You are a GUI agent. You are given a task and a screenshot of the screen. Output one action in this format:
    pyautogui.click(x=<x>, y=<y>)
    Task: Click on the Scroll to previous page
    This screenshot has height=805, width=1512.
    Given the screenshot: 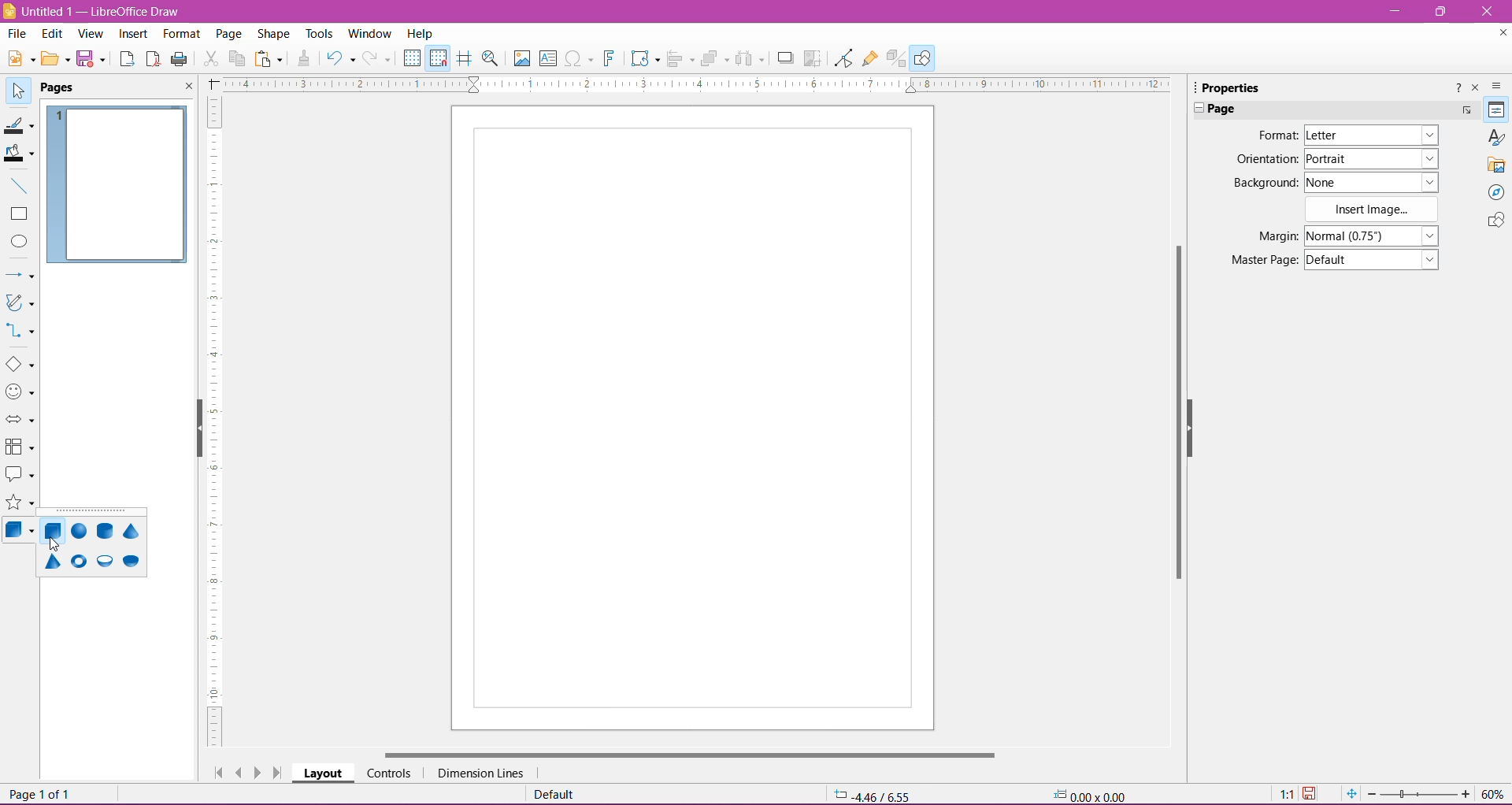 What is the action you would take?
    pyautogui.click(x=239, y=772)
    